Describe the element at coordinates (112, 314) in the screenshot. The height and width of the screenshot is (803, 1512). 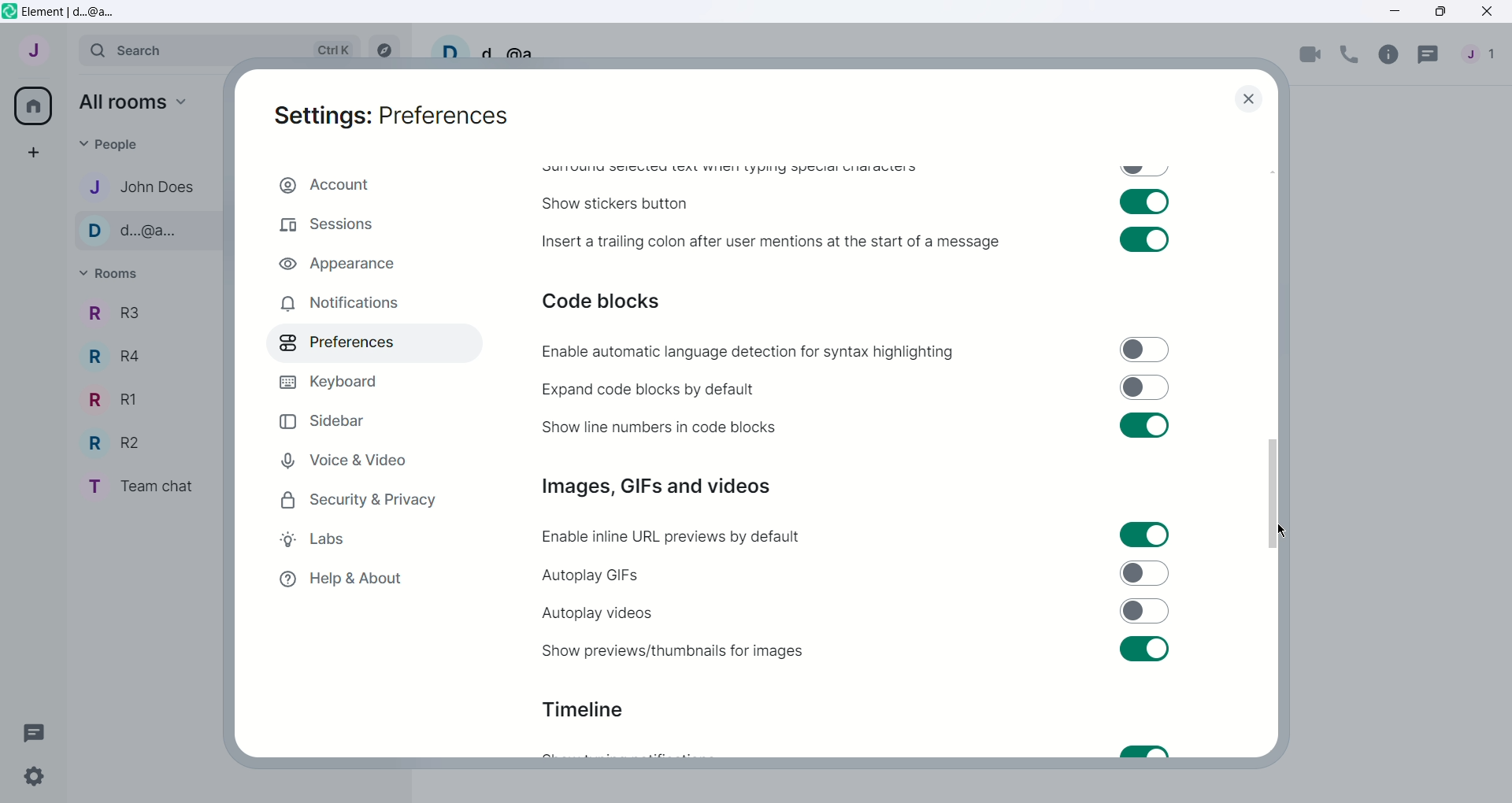
I see `R3 - Room Name` at that location.